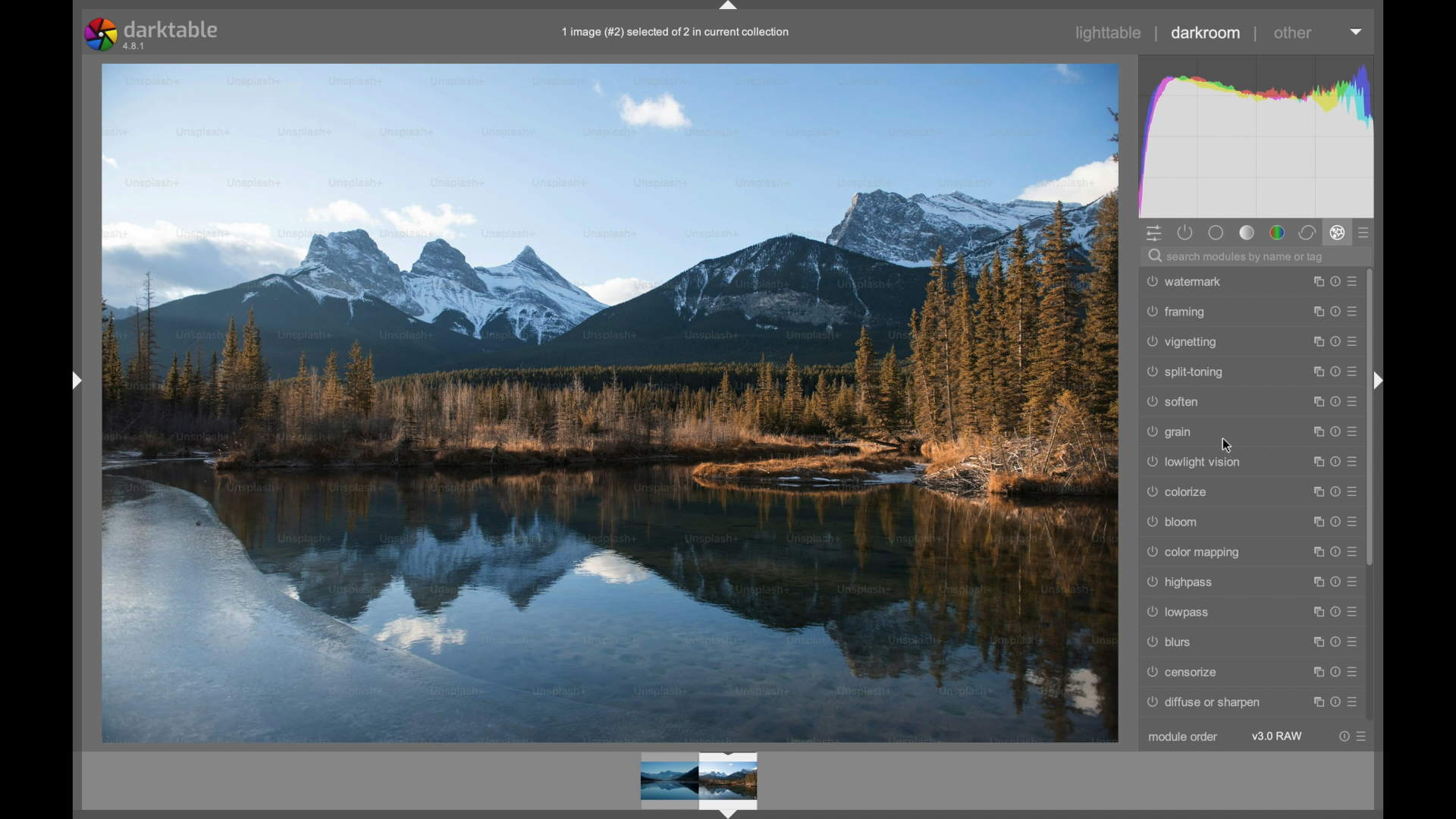 Image resolution: width=1456 pixels, height=819 pixels. Describe the element at coordinates (707, 782) in the screenshot. I see `Video preview` at that location.